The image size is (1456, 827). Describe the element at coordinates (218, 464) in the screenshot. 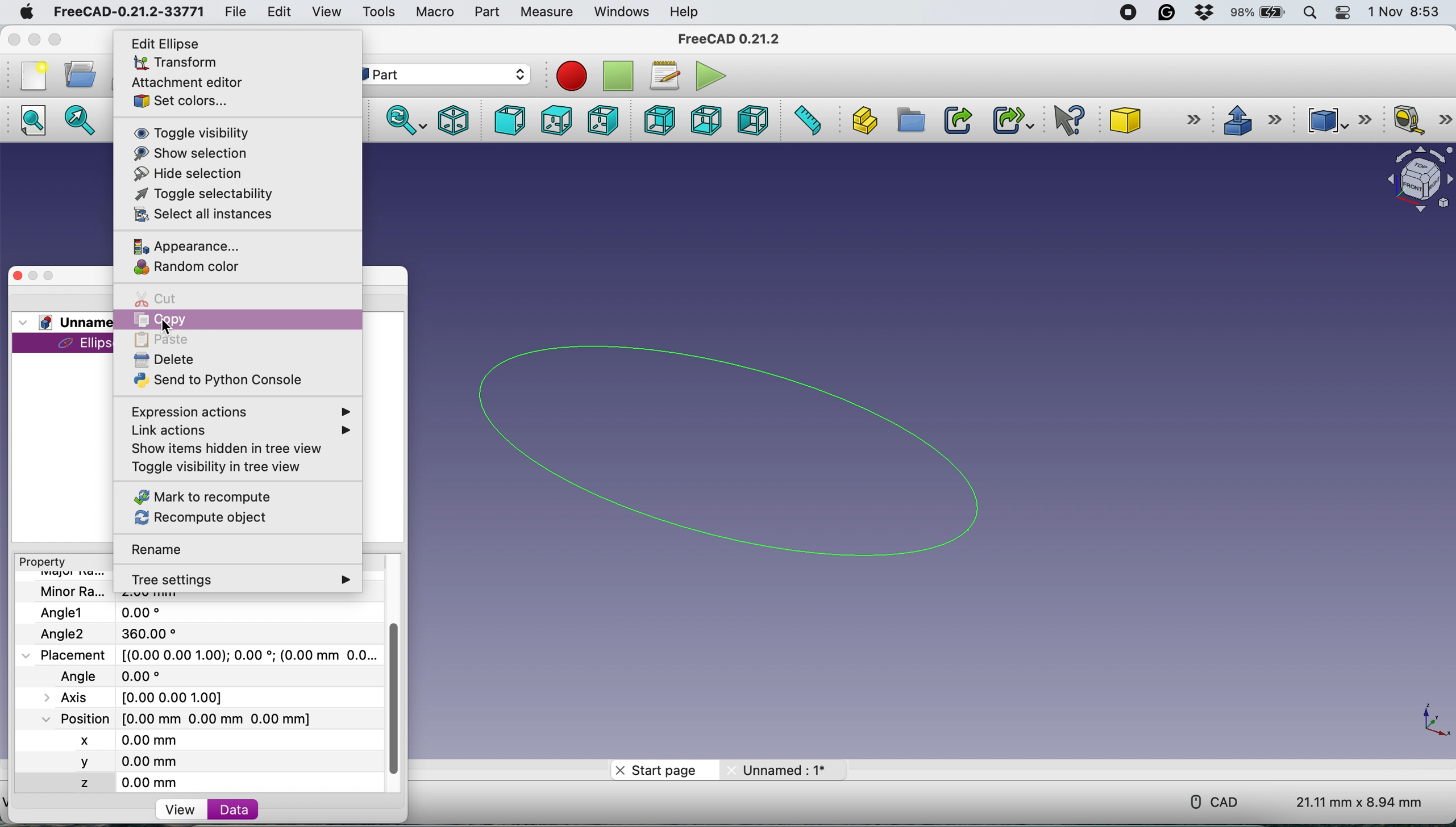

I see `toggle visibility in tree view` at that location.